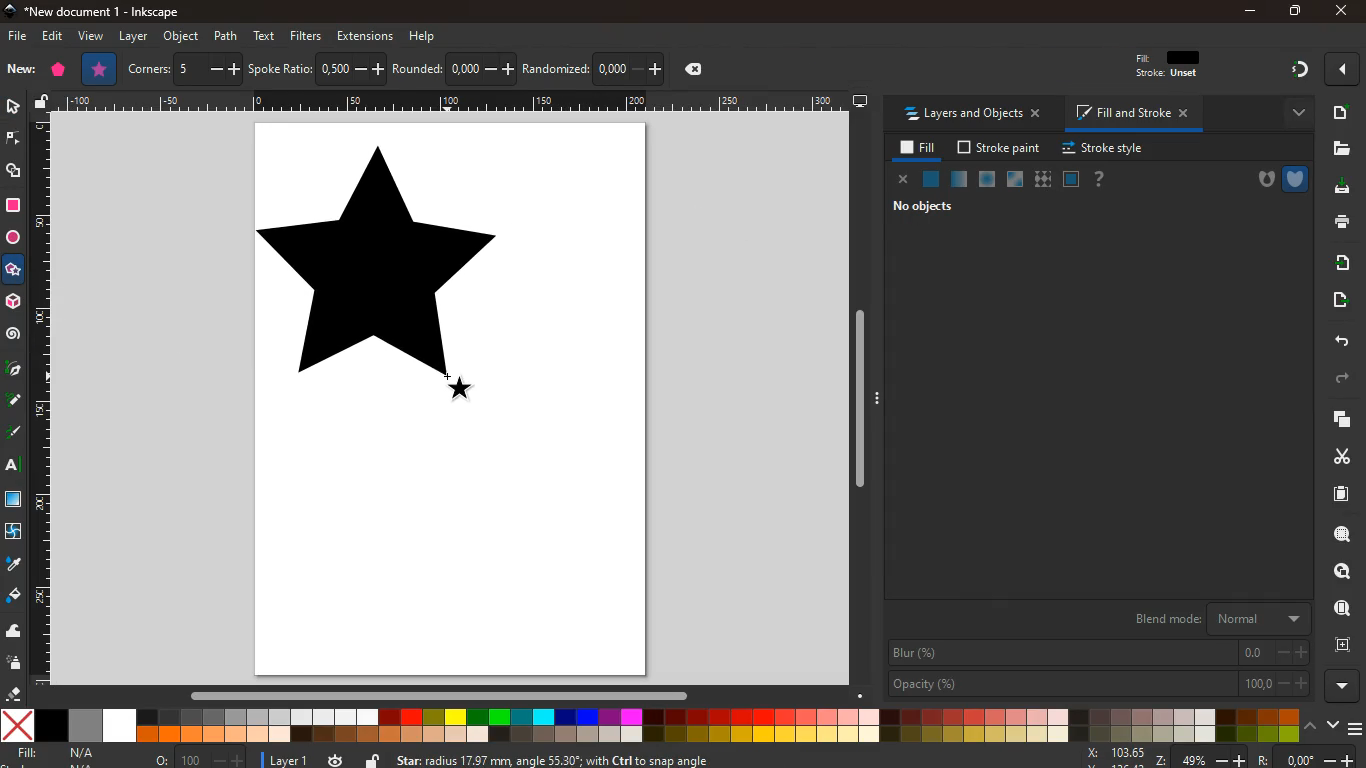 This screenshot has height=768, width=1366. Describe the element at coordinates (14, 692) in the screenshot. I see `erase` at that location.